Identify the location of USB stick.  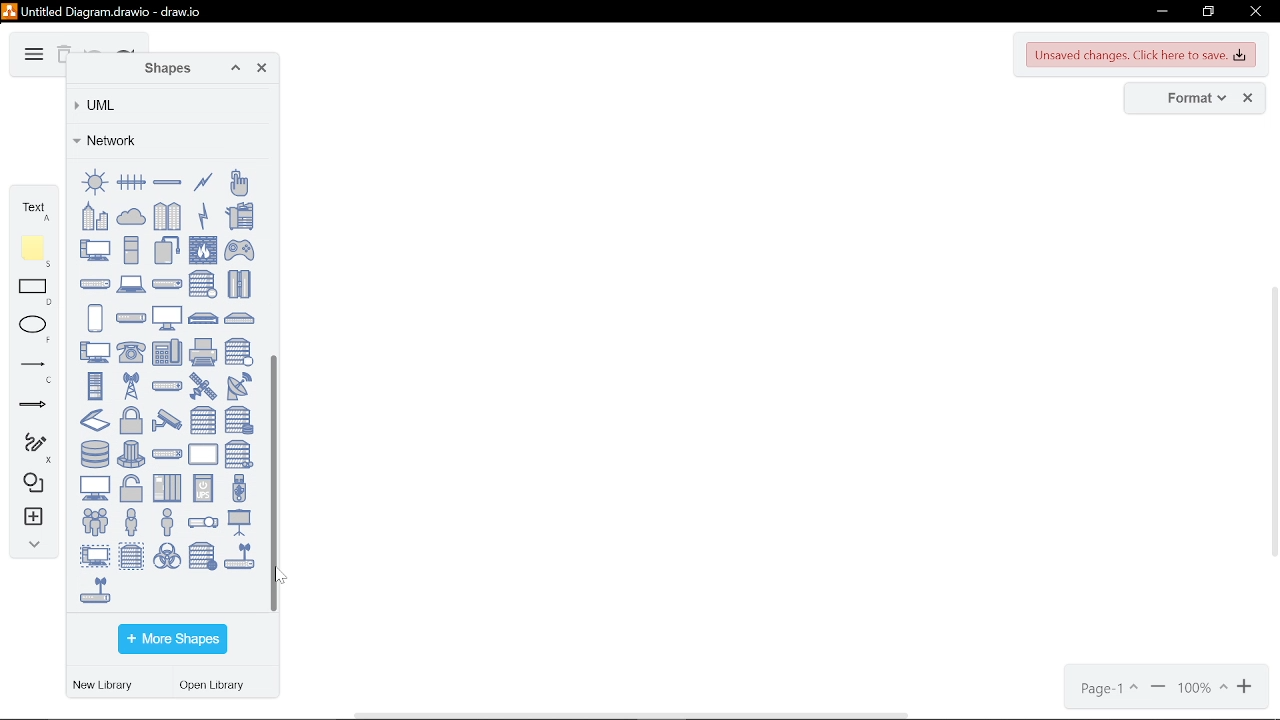
(239, 488).